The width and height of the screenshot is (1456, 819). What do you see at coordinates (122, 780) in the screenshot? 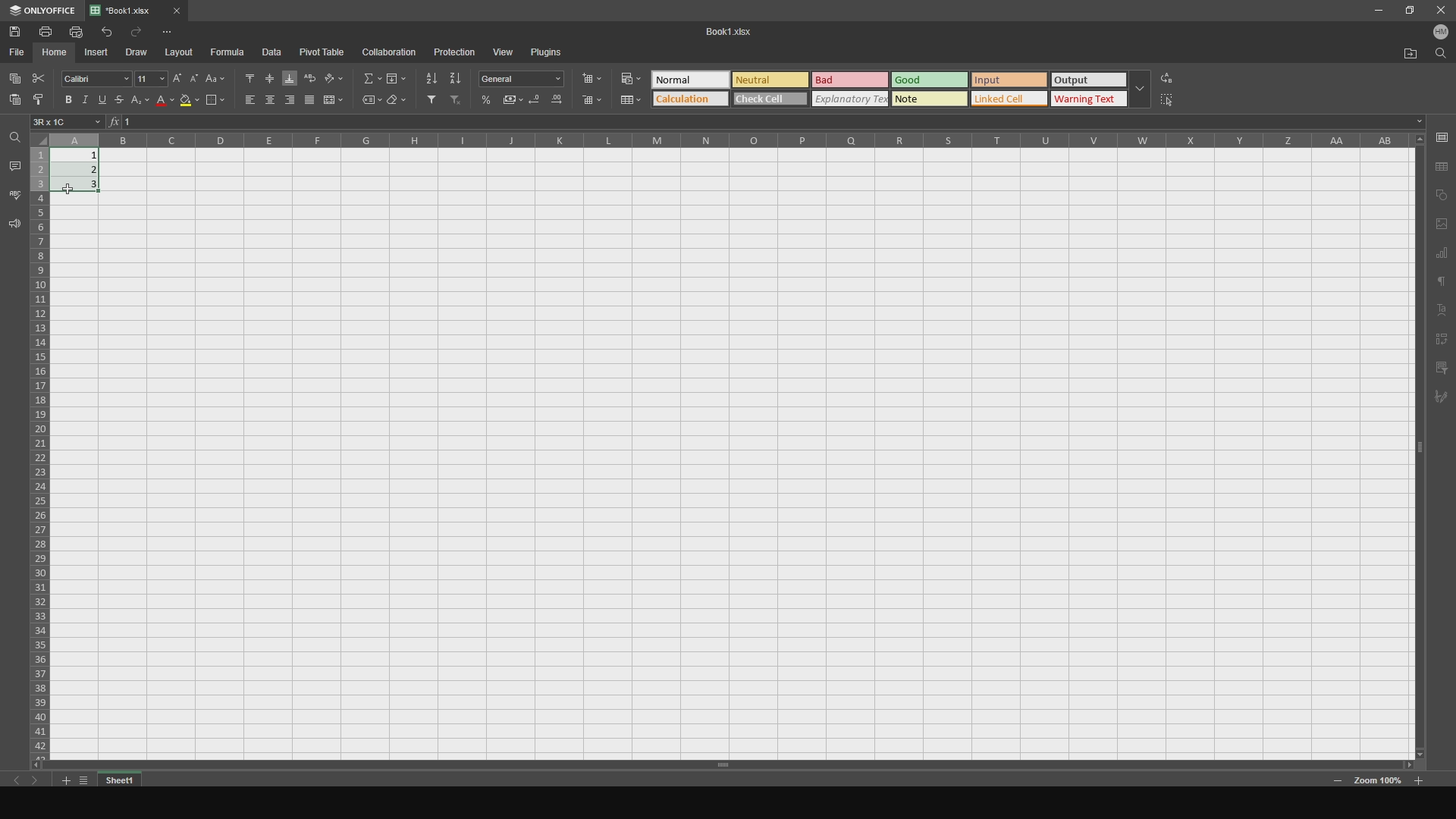
I see `sheet` at bounding box center [122, 780].